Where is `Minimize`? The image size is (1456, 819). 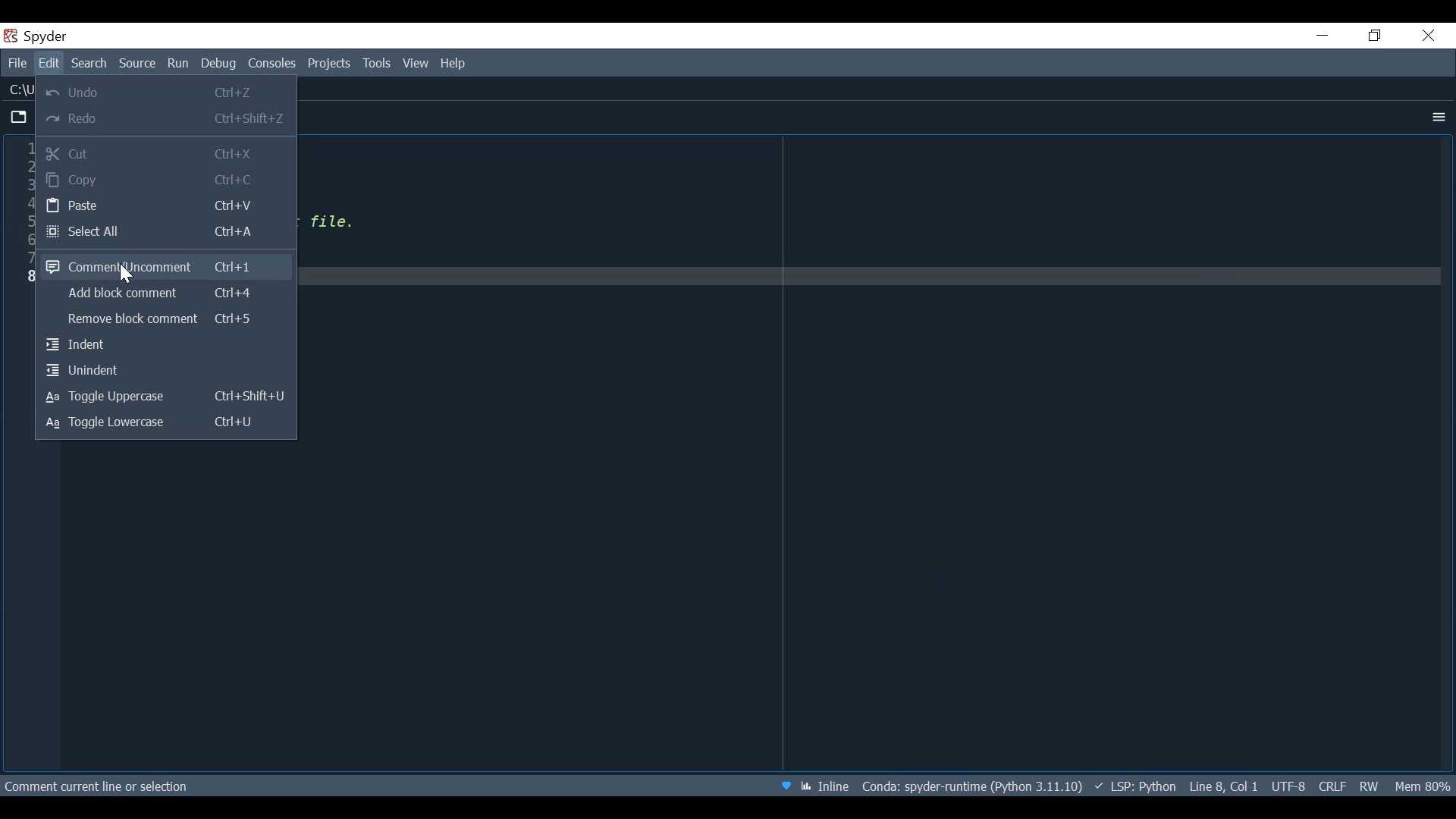
Minimize is located at coordinates (1323, 35).